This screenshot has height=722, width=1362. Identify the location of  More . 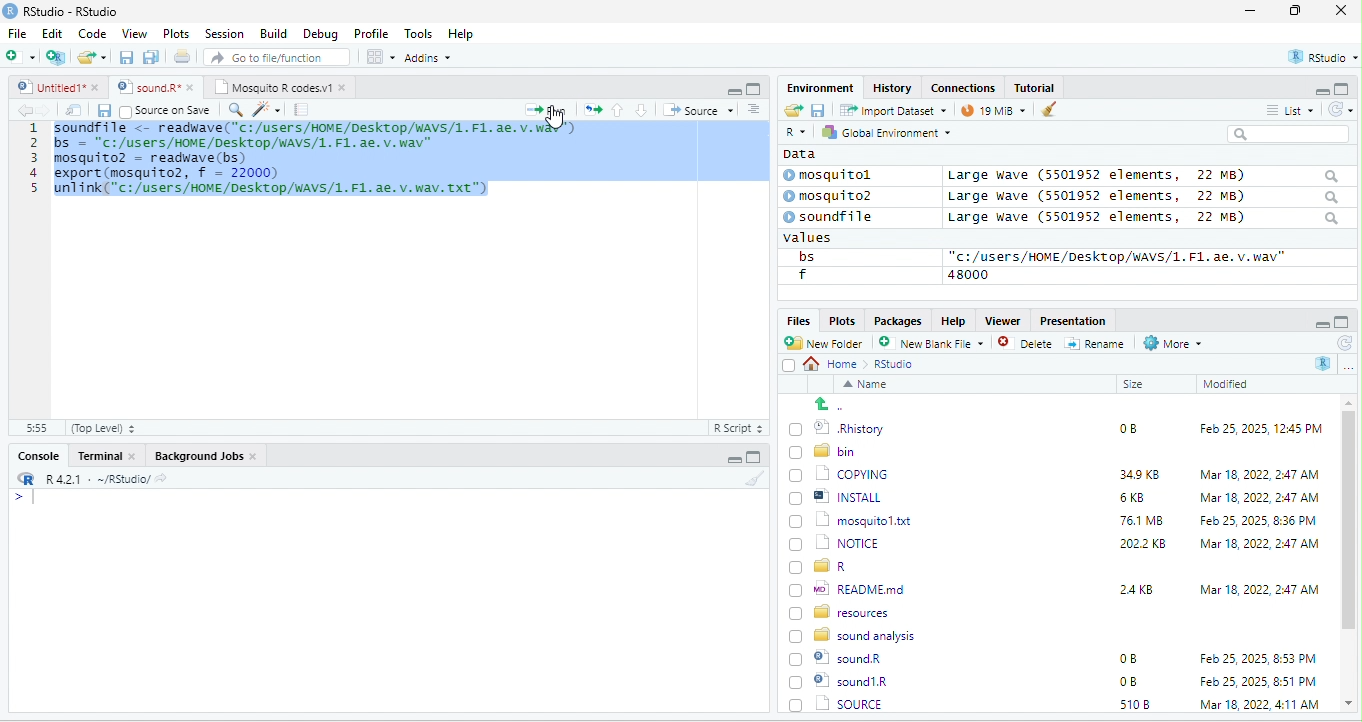
(1171, 344).